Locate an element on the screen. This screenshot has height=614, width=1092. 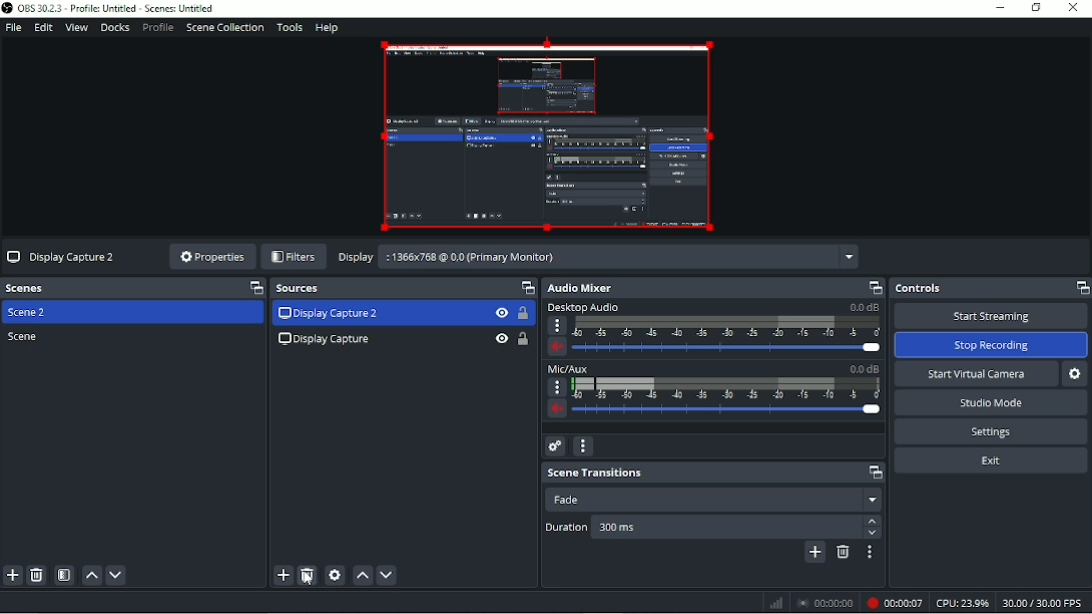
Settings is located at coordinates (993, 432).